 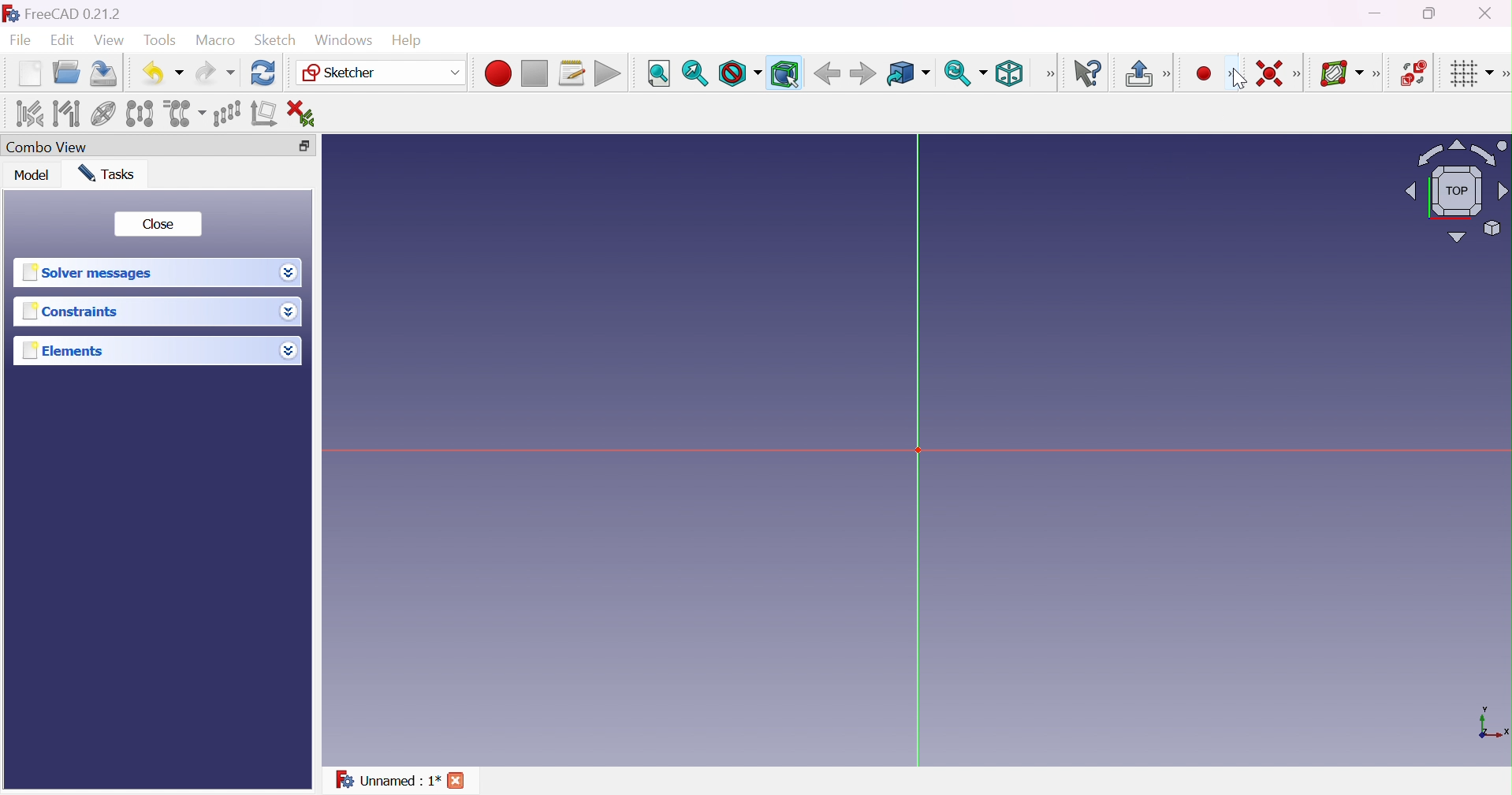 What do you see at coordinates (289, 273) in the screenshot?
I see `Drop down` at bounding box center [289, 273].